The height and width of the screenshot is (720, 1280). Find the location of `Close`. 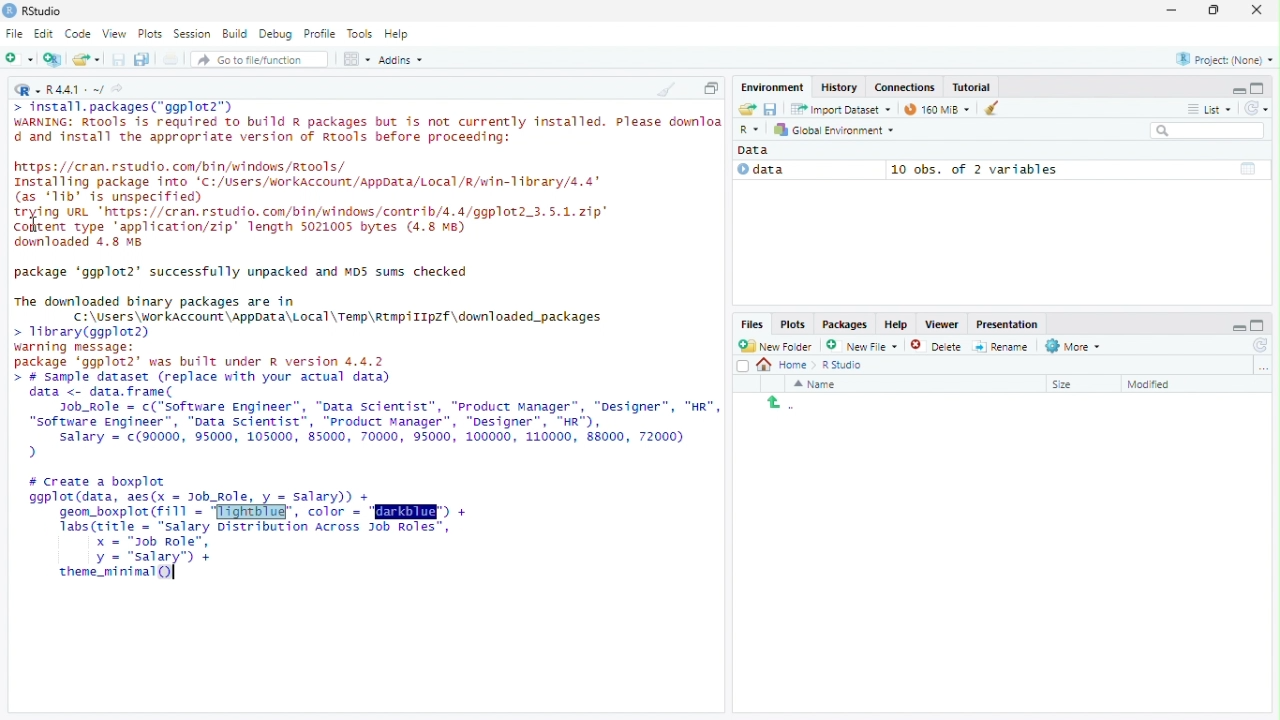

Close is located at coordinates (1259, 9).